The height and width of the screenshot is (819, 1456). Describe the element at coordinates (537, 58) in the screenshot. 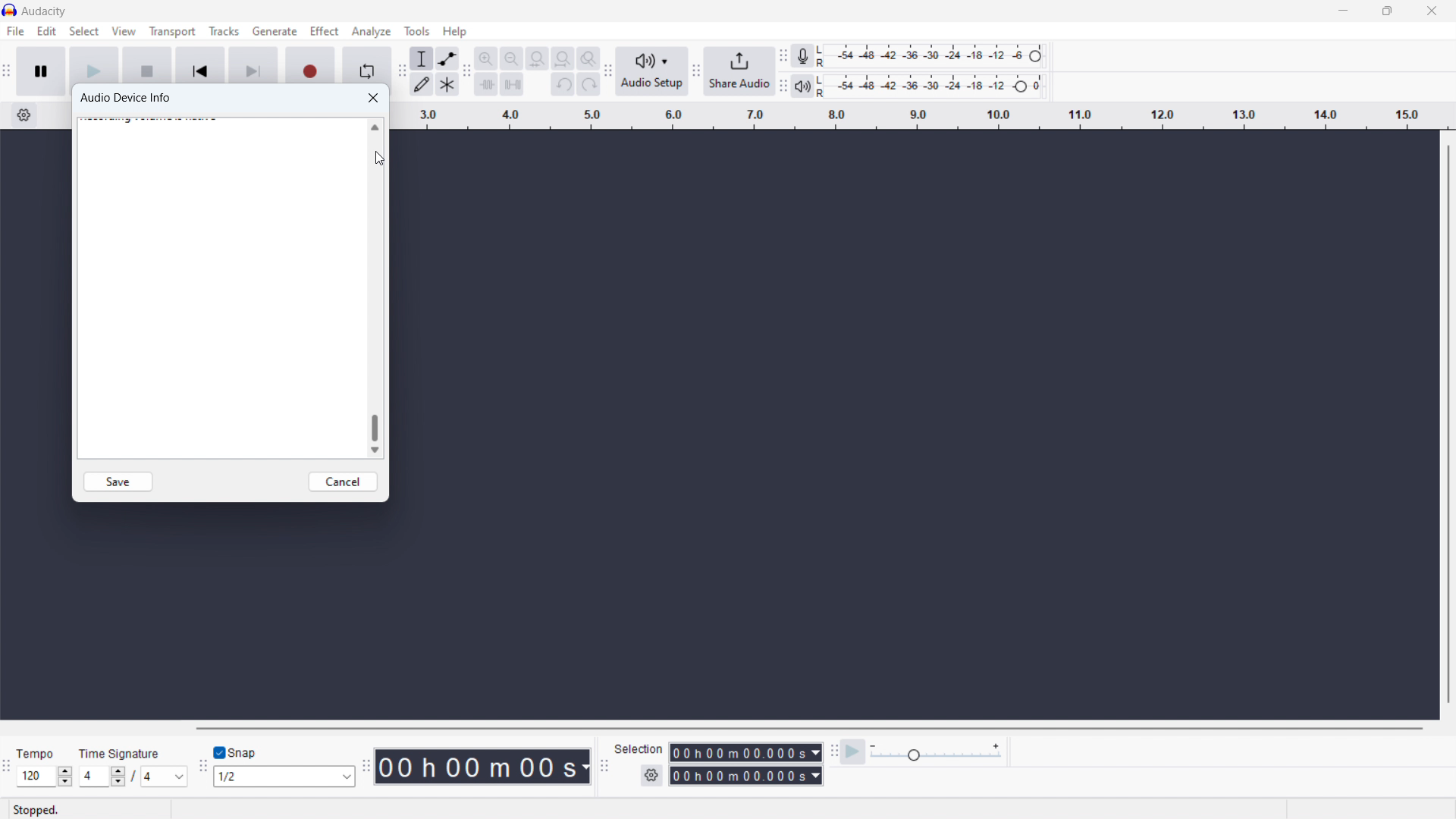

I see `fit selection to width` at that location.